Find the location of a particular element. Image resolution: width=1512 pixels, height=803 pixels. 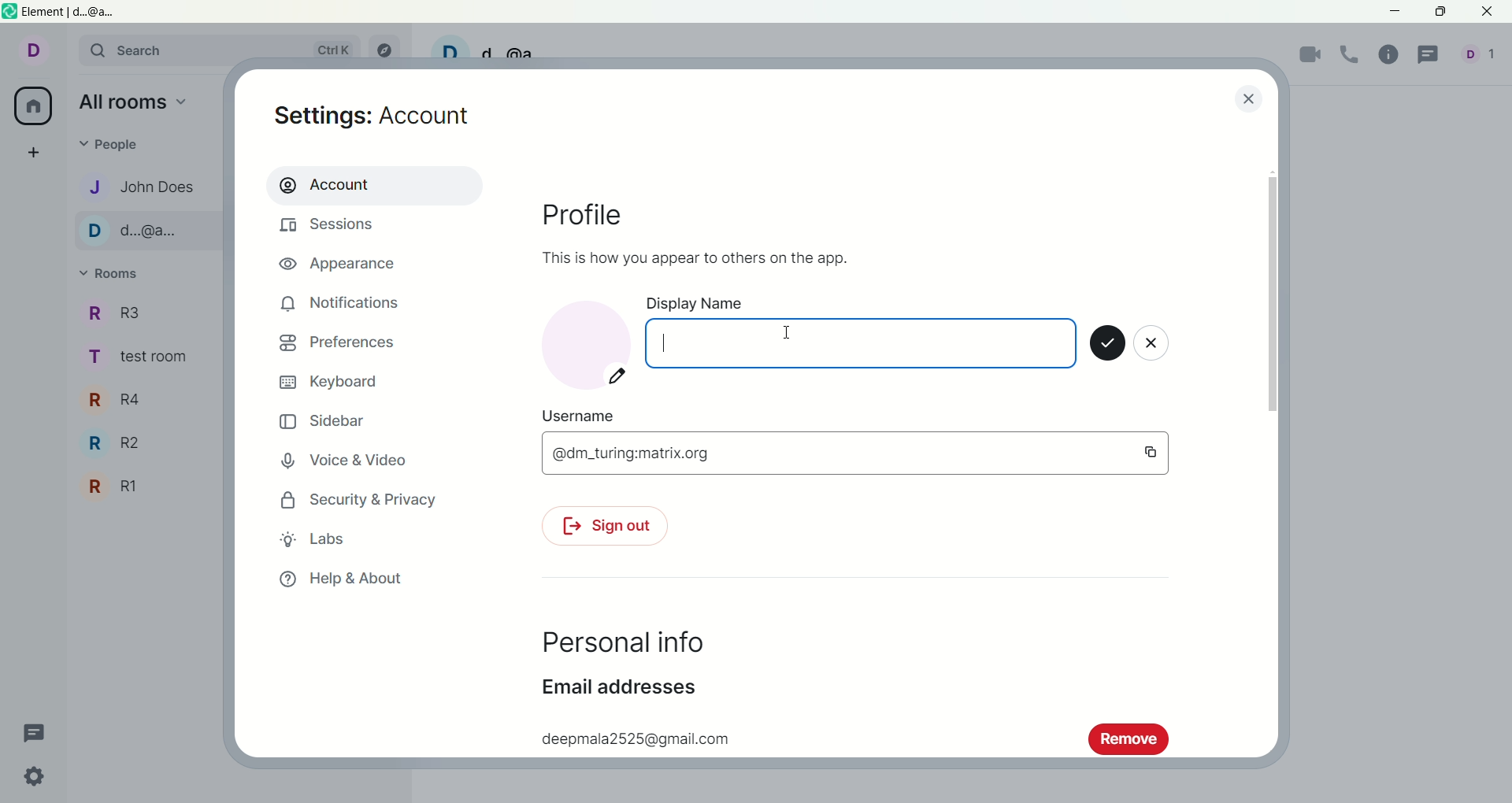

sidebar is located at coordinates (324, 424).